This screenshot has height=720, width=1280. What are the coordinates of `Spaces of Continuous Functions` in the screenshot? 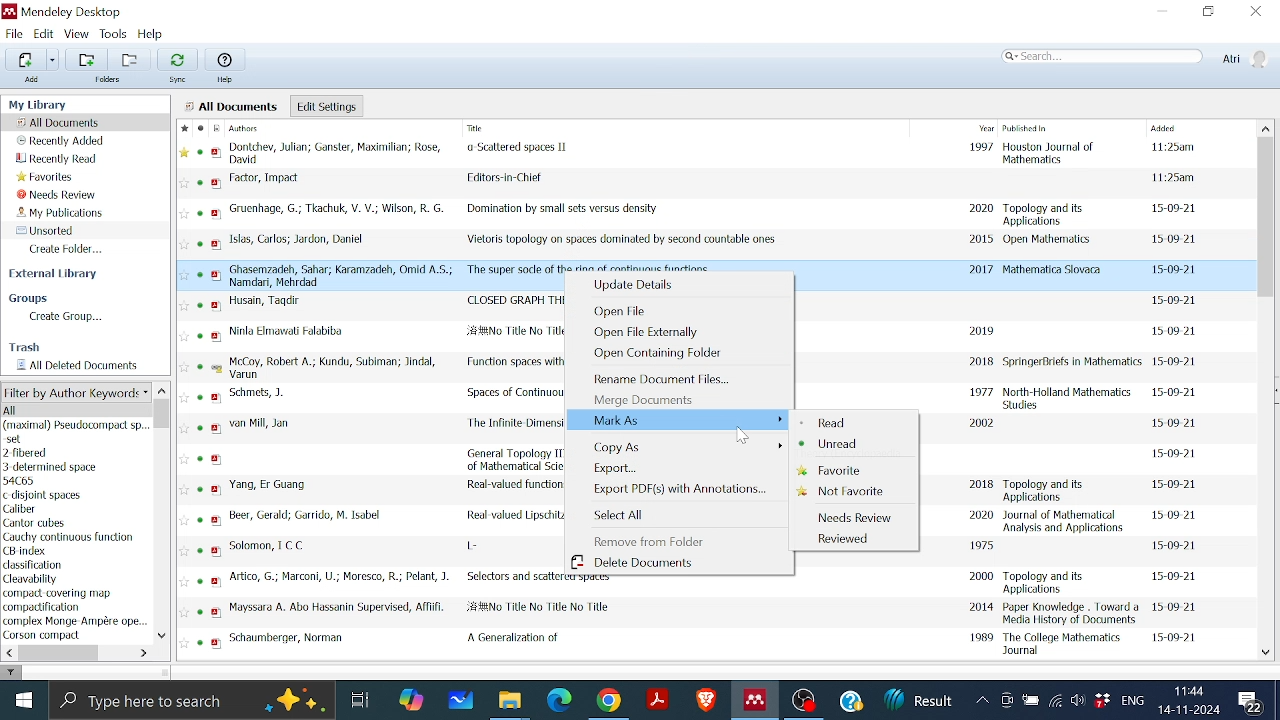 It's located at (373, 396).